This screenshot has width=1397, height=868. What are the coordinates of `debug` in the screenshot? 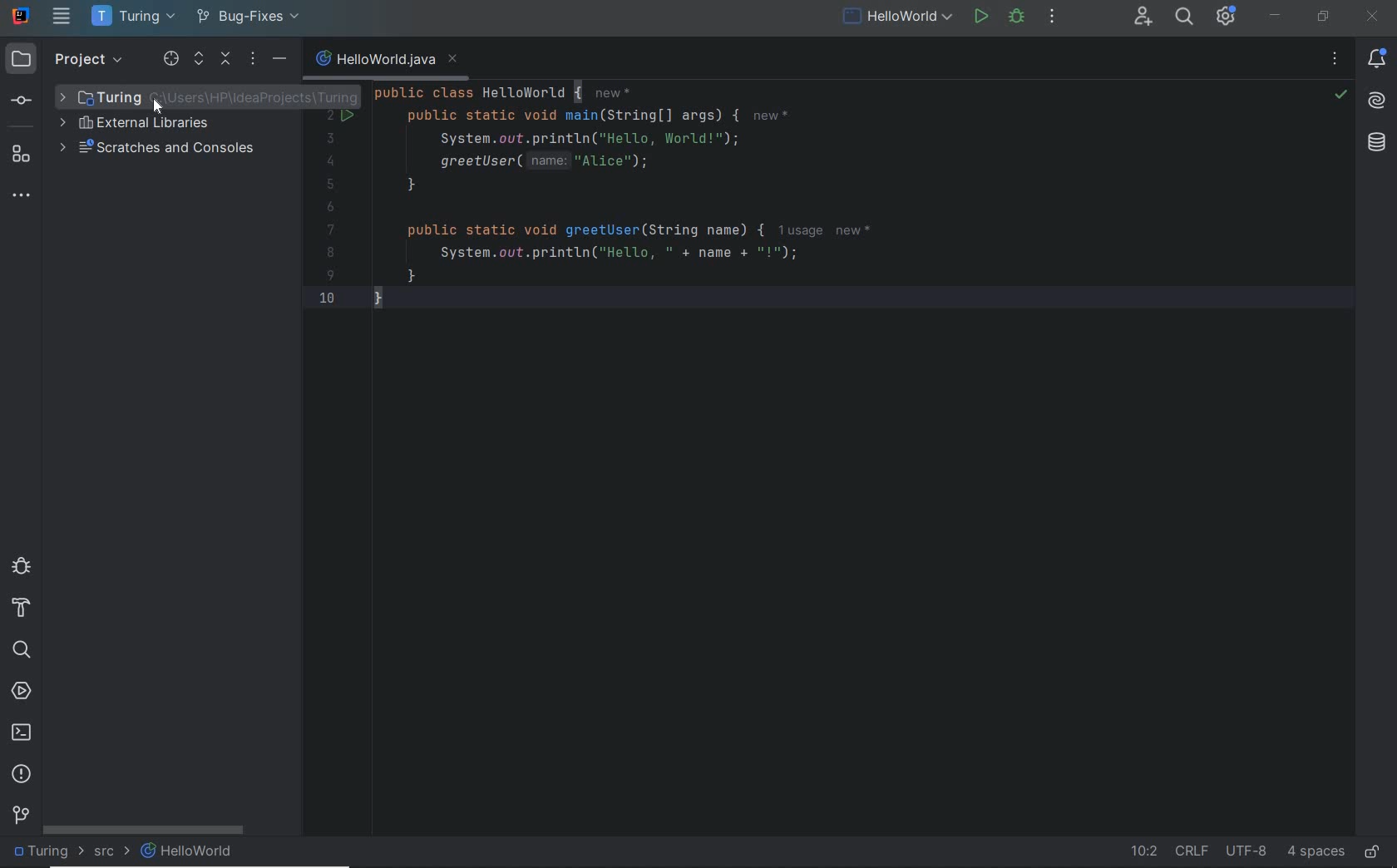 It's located at (1016, 18).